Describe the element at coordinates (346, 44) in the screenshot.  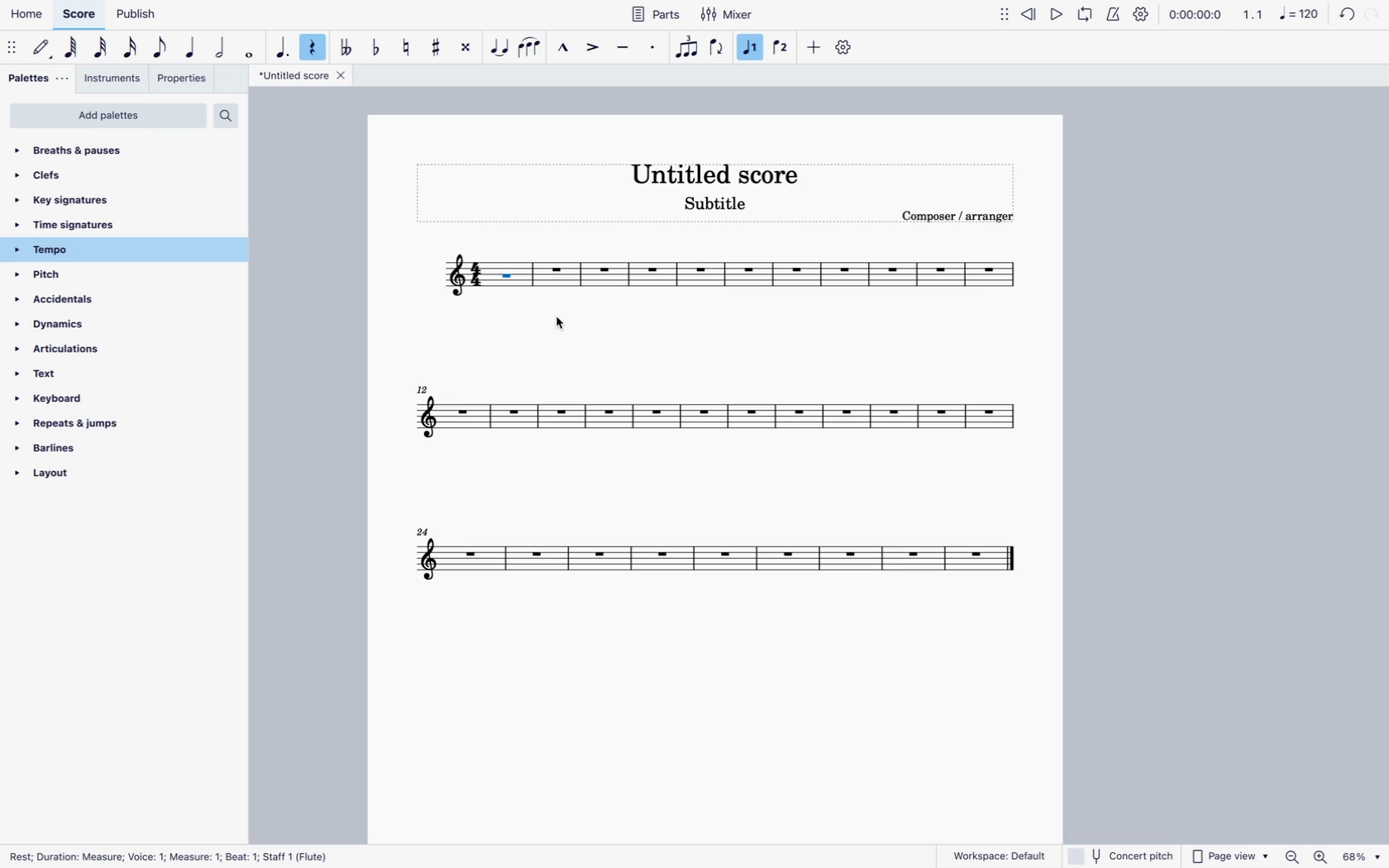
I see `double toggle flat` at that location.